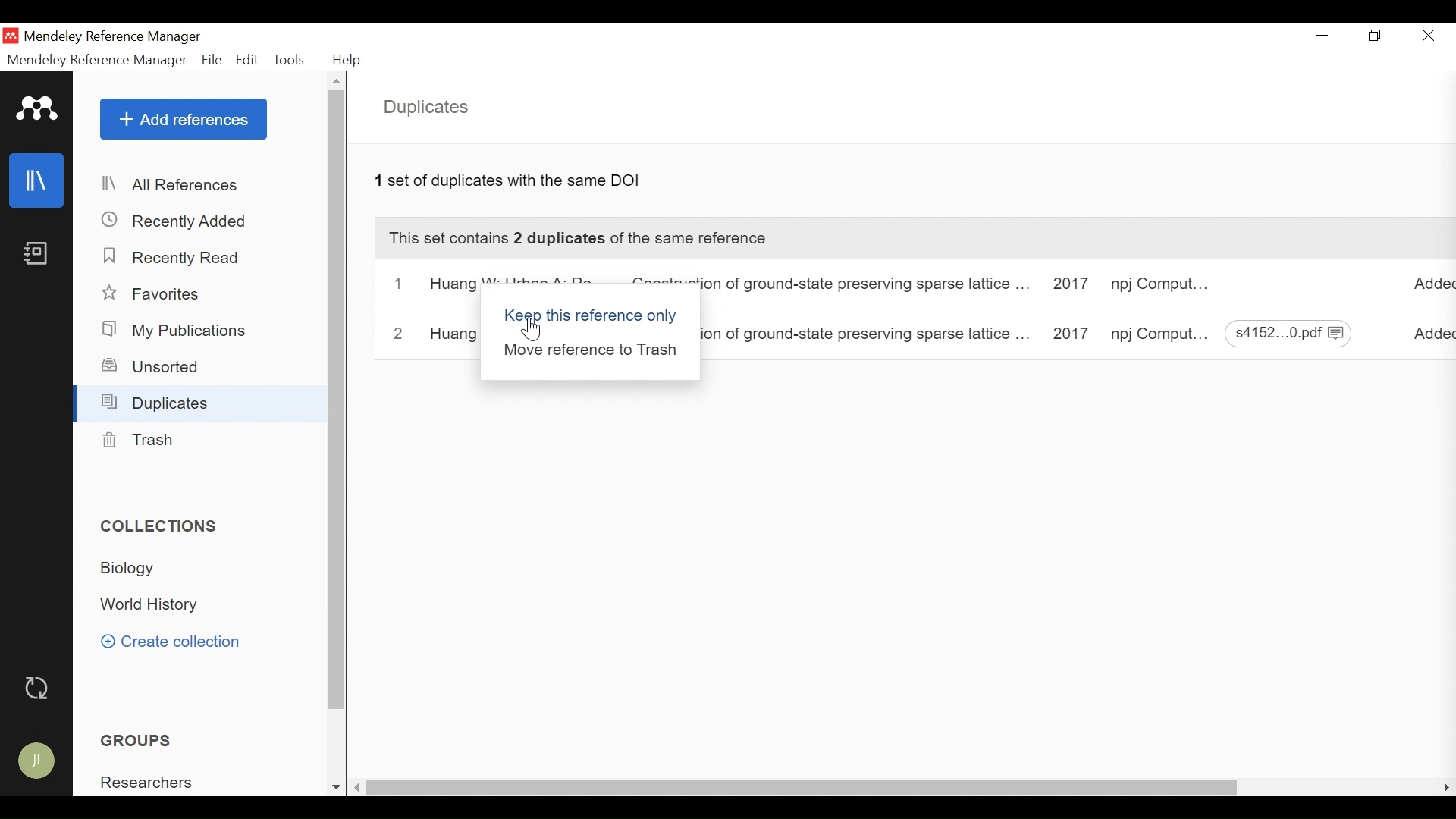 The height and width of the screenshot is (819, 1456). What do you see at coordinates (337, 83) in the screenshot?
I see `Scroll up` at bounding box center [337, 83].